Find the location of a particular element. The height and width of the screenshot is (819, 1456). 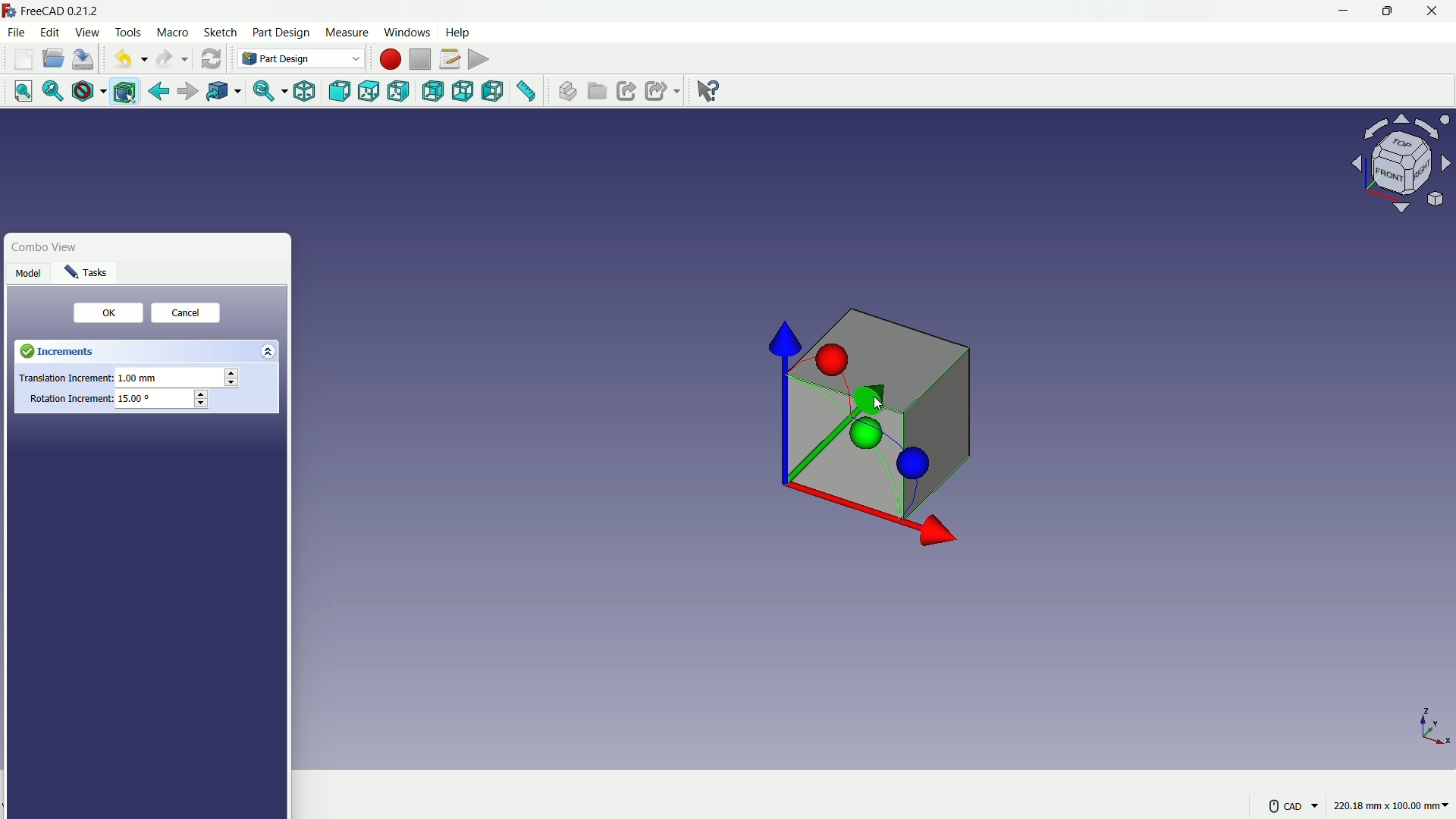

isometric view is located at coordinates (304, 93).